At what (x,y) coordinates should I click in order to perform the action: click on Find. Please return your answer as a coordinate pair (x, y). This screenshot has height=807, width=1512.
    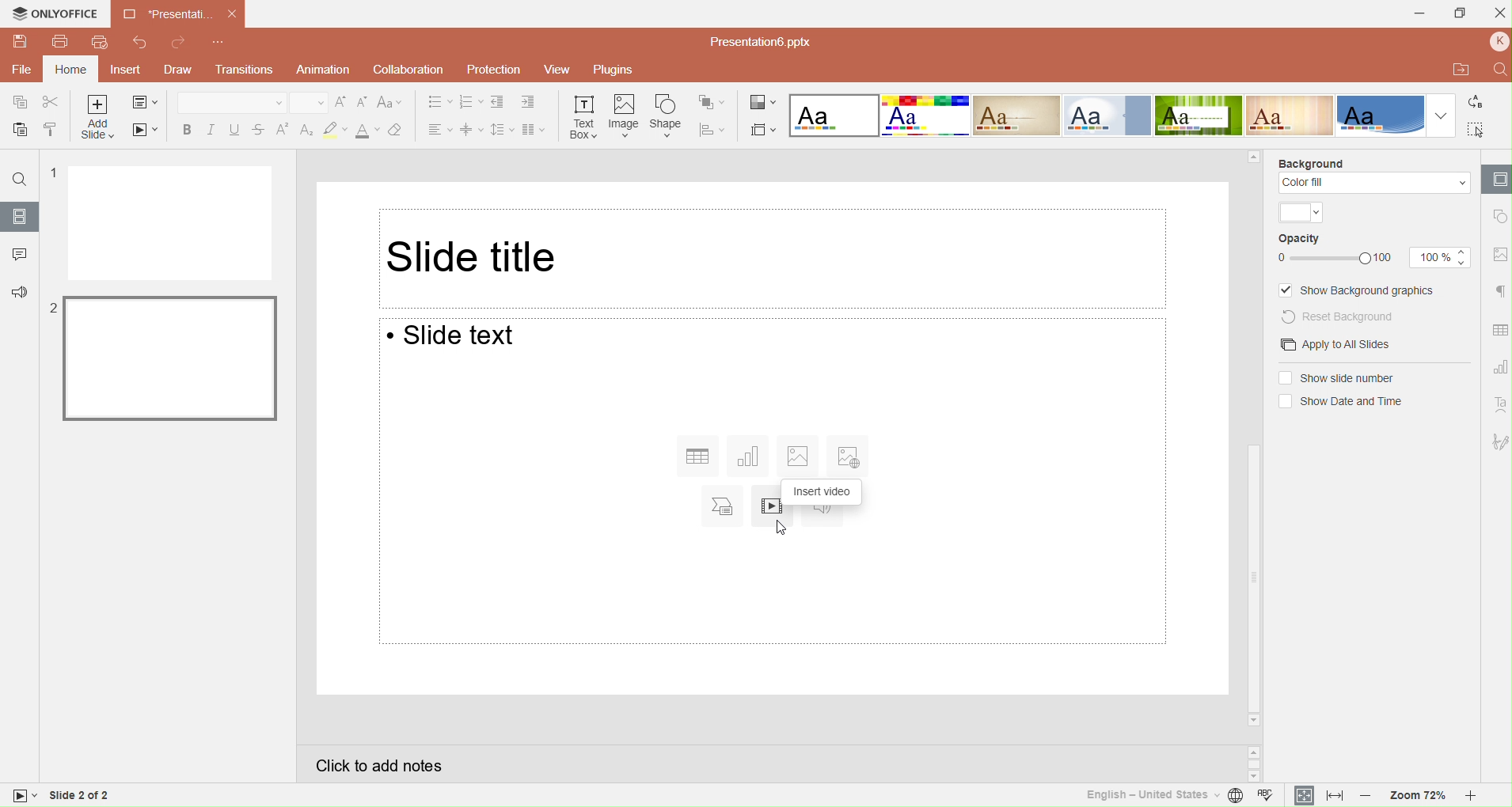
    Looking at the image, I should click on (1497, 70).